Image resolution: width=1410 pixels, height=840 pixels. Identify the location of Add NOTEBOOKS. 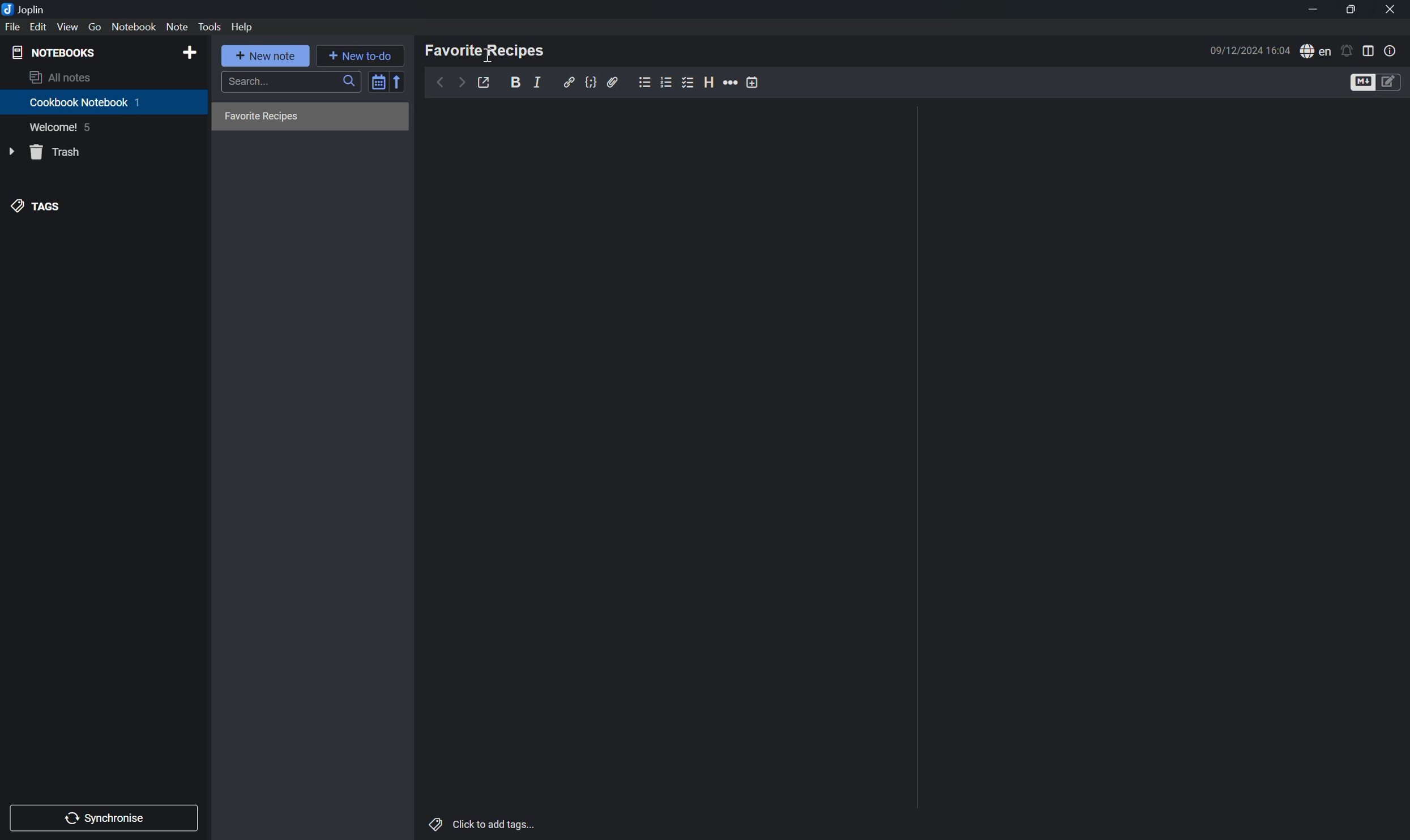
(190, 52).